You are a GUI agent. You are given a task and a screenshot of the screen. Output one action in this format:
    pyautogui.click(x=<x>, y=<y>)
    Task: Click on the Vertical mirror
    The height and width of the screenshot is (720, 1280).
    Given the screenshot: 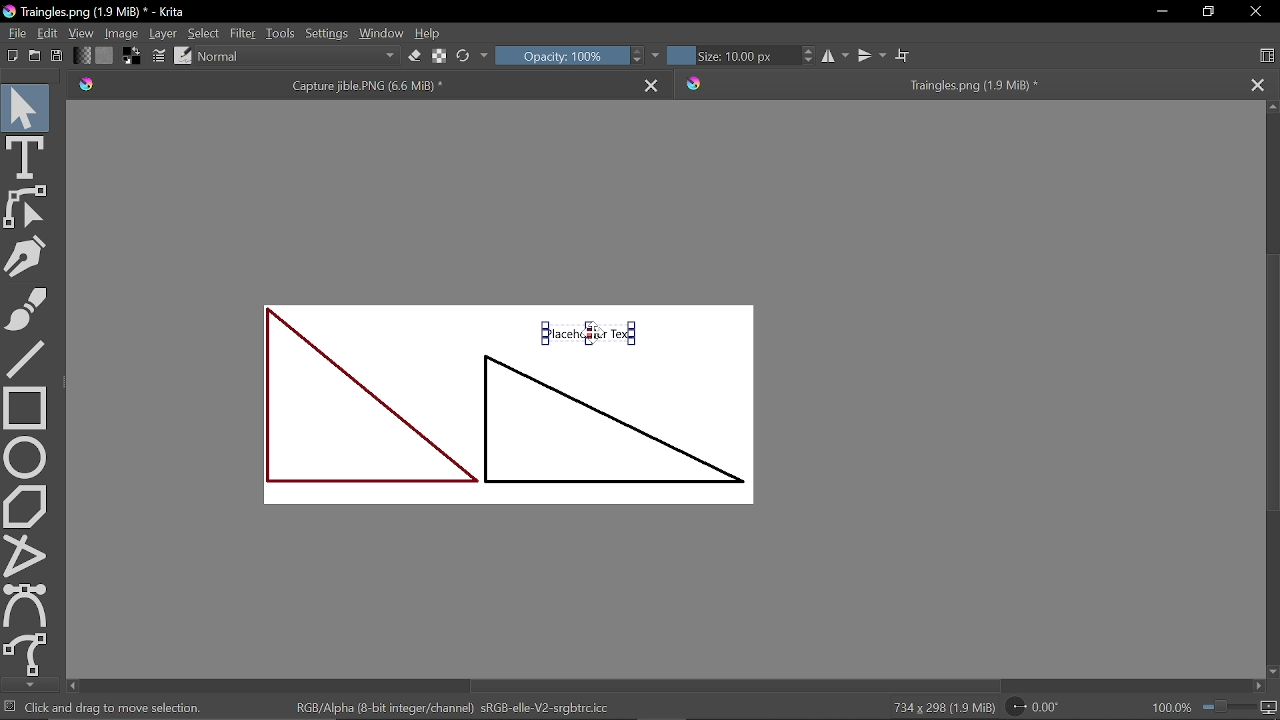 What is the action you would take?
    pyautogui.click(x=874, y=53)
    